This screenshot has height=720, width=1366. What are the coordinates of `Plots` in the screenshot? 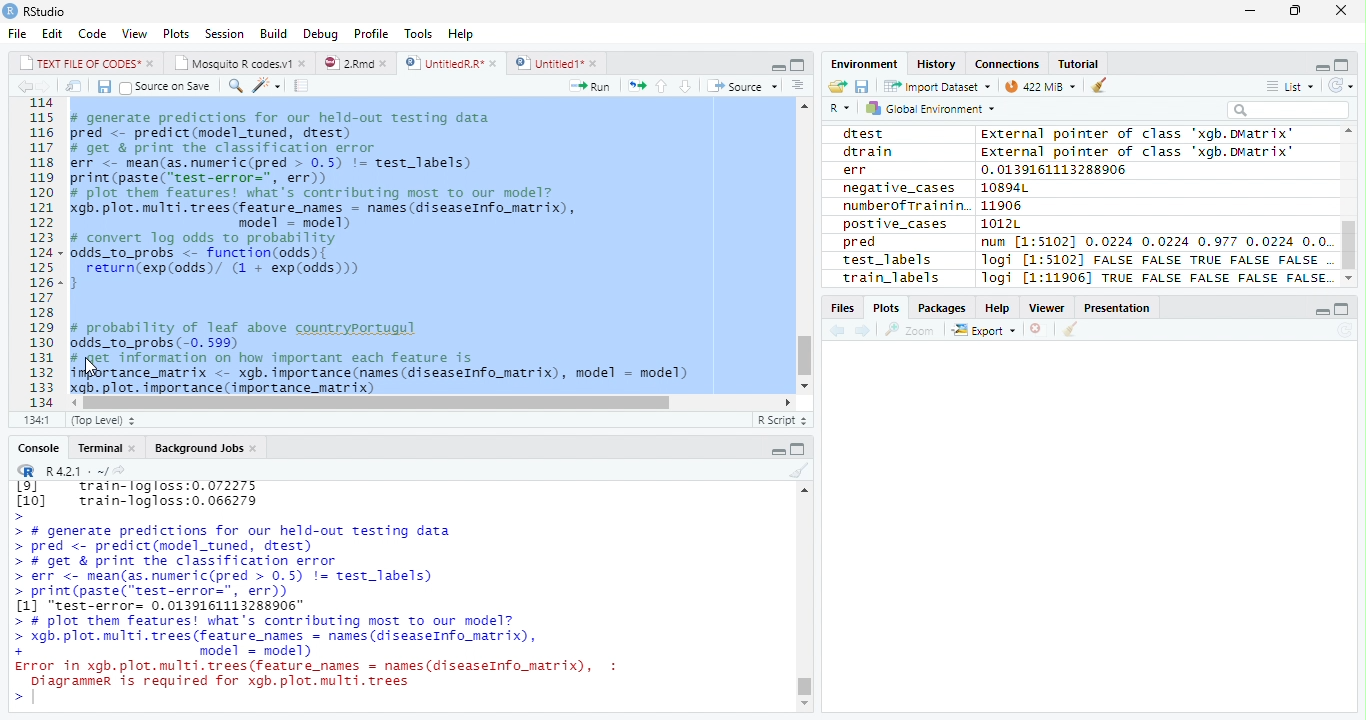 It's located at (174, 33).